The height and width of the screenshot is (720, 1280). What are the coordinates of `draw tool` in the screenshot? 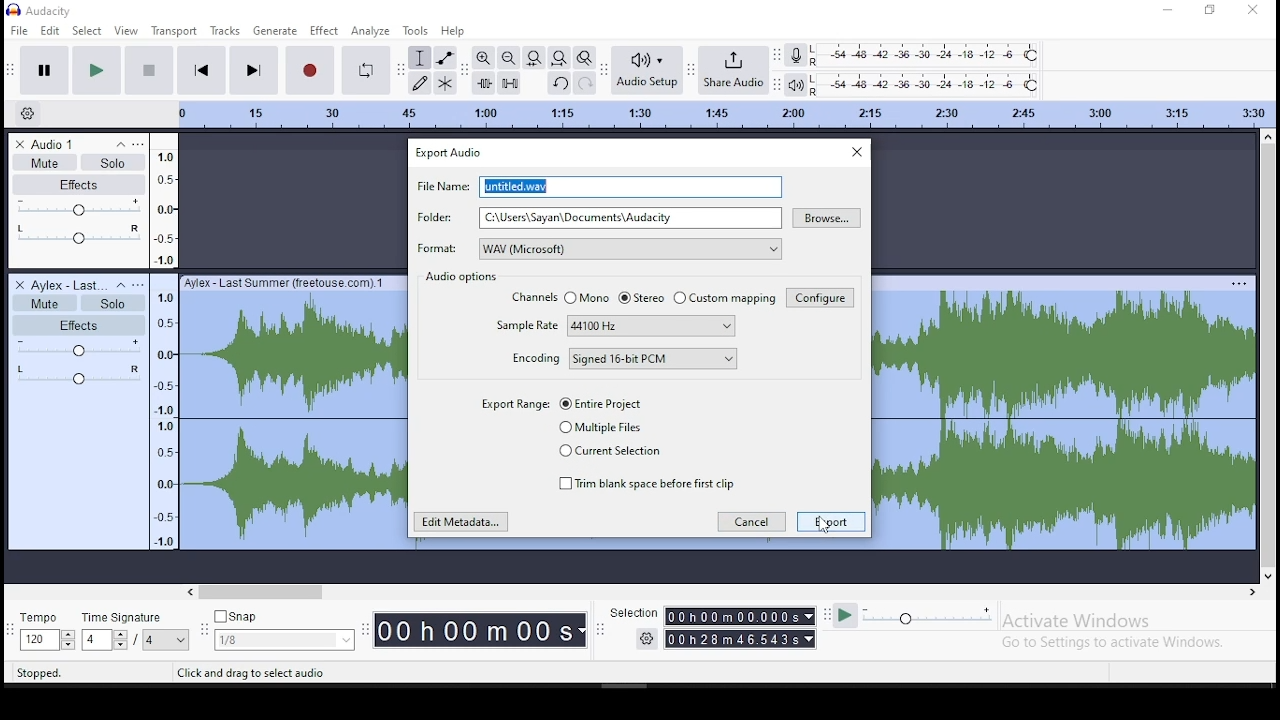 It's located at (419, 82).